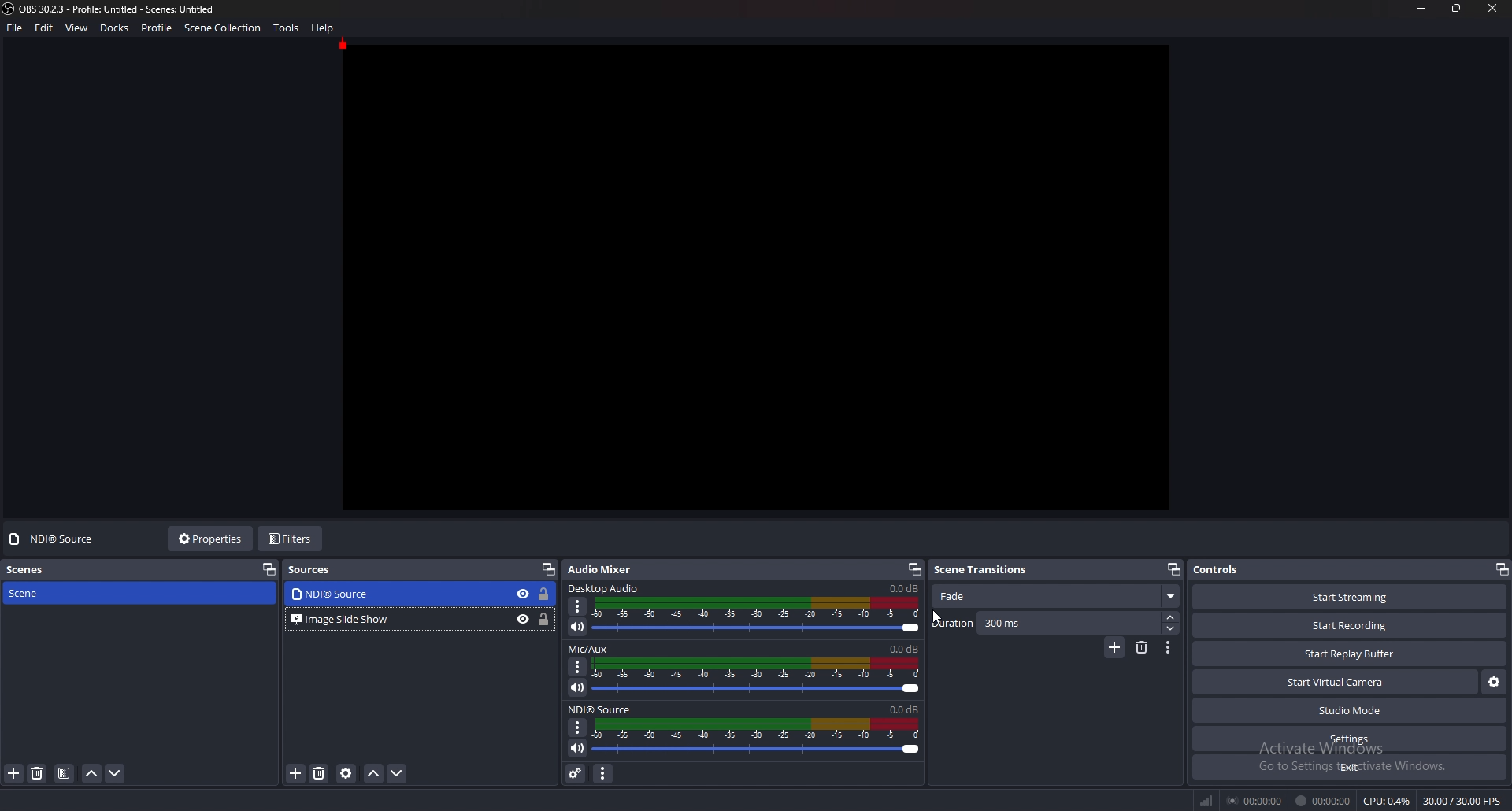 The image size is (1512, 811). What do you see at coordinates (1422, 9) in the screenshot?
I see `minimize` at bounding box center [1422, 9].